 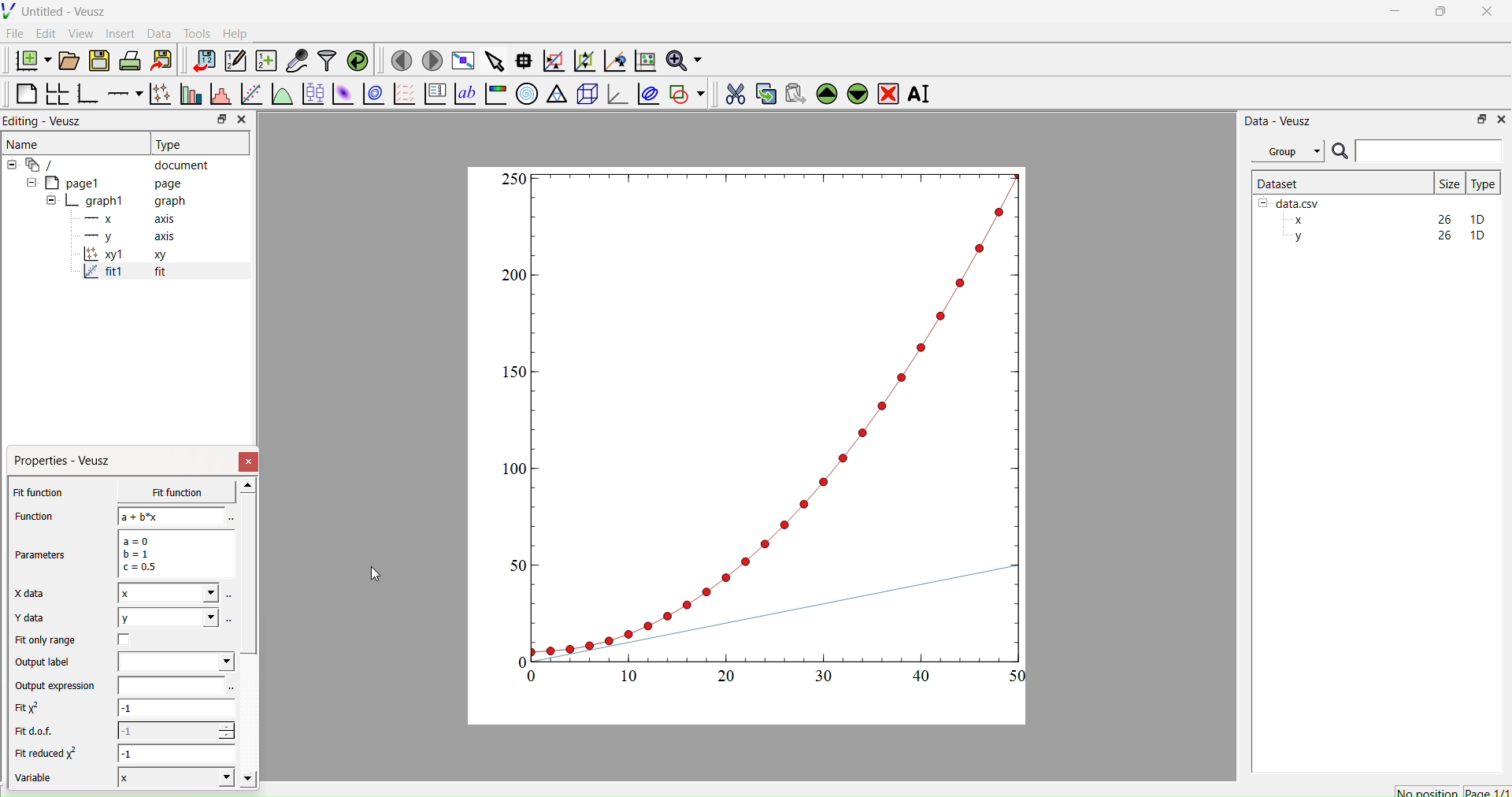 What do you see at coordinates (1500, 118) in the screenshot?
I see `Close` at bounding box center [1500, 118].